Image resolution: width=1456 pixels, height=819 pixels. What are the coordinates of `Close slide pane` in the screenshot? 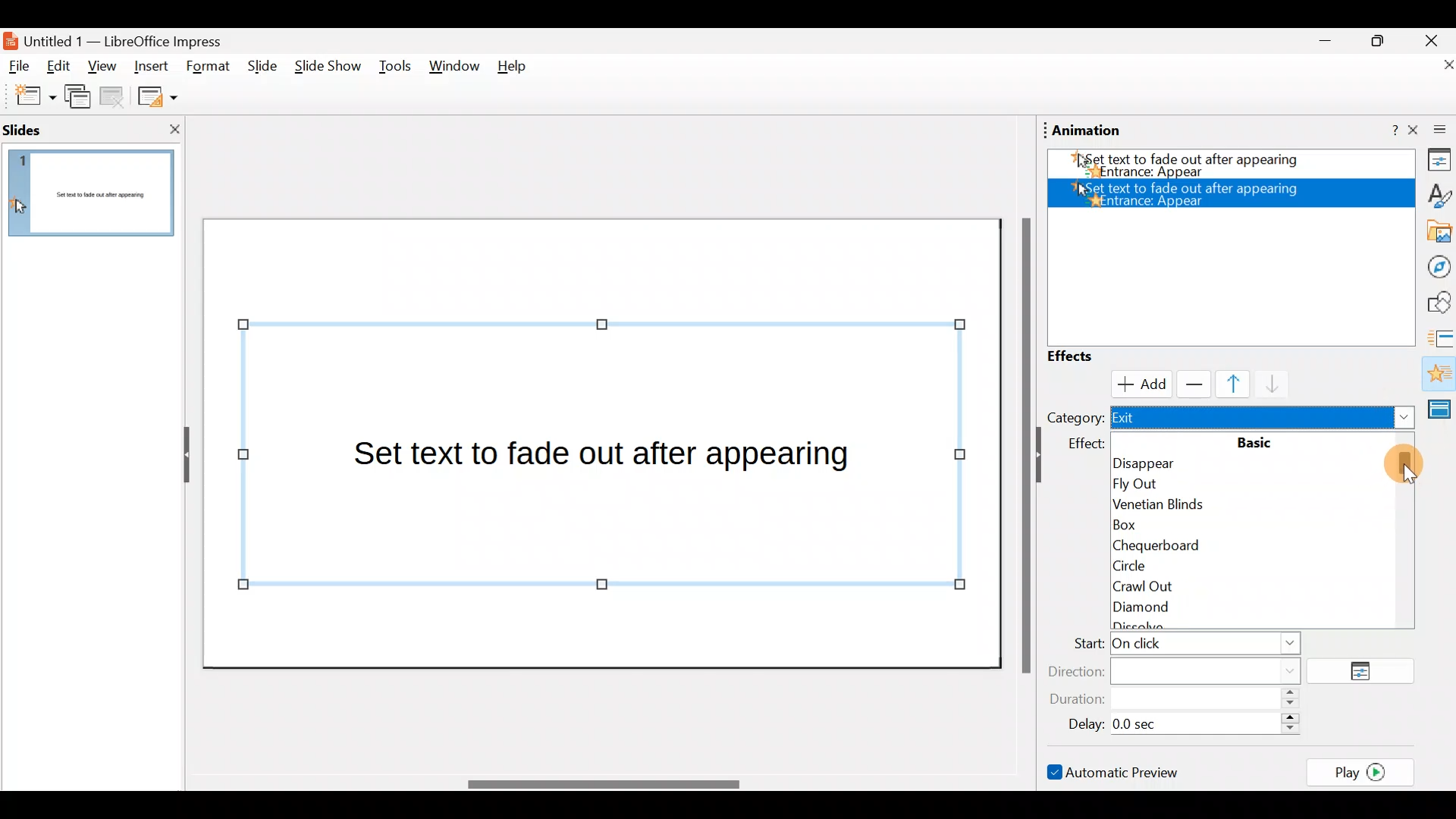 It's located at (170, 129).